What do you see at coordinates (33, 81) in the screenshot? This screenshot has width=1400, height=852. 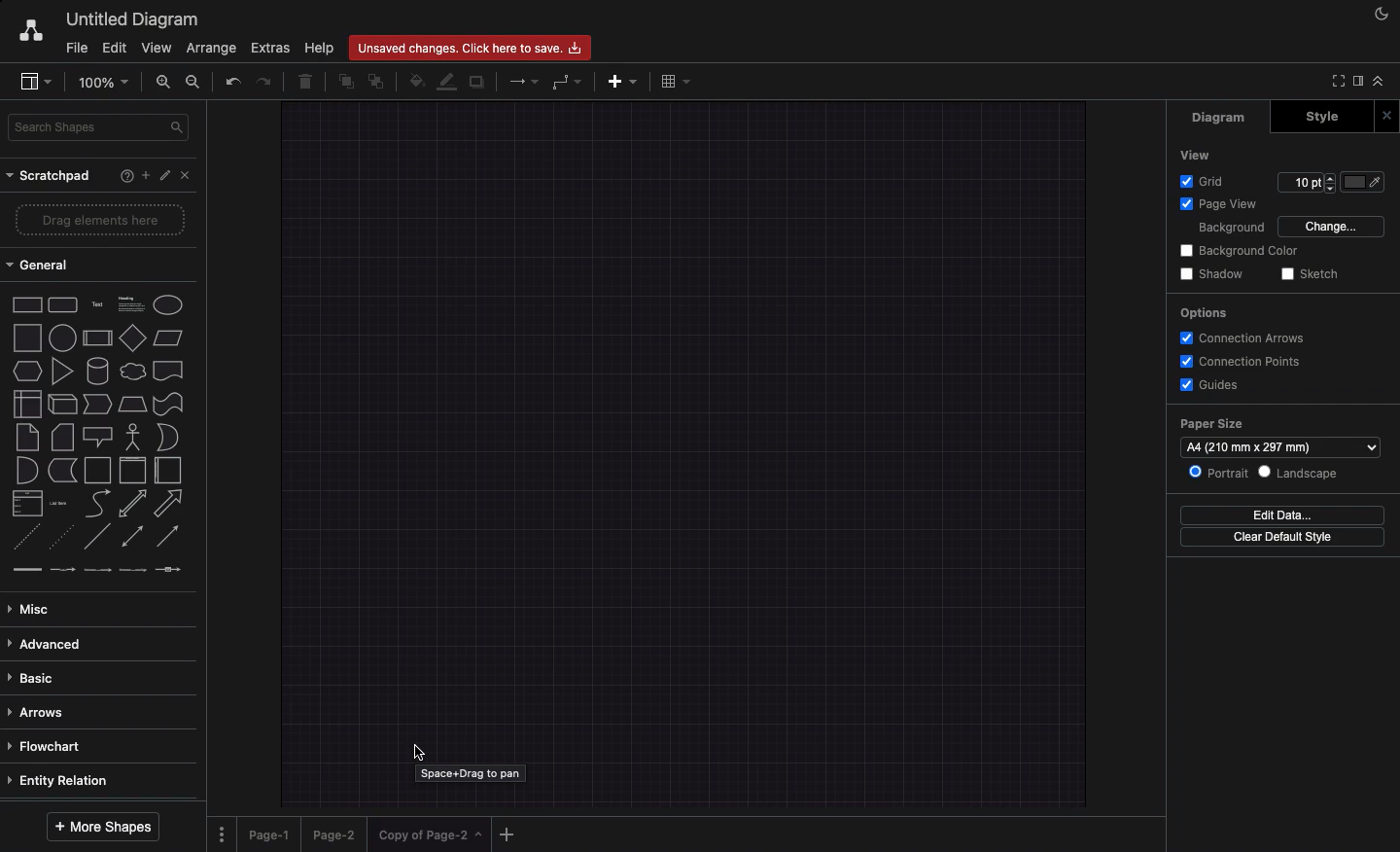 I see `Sidebar` at bounding box center [33, 81].